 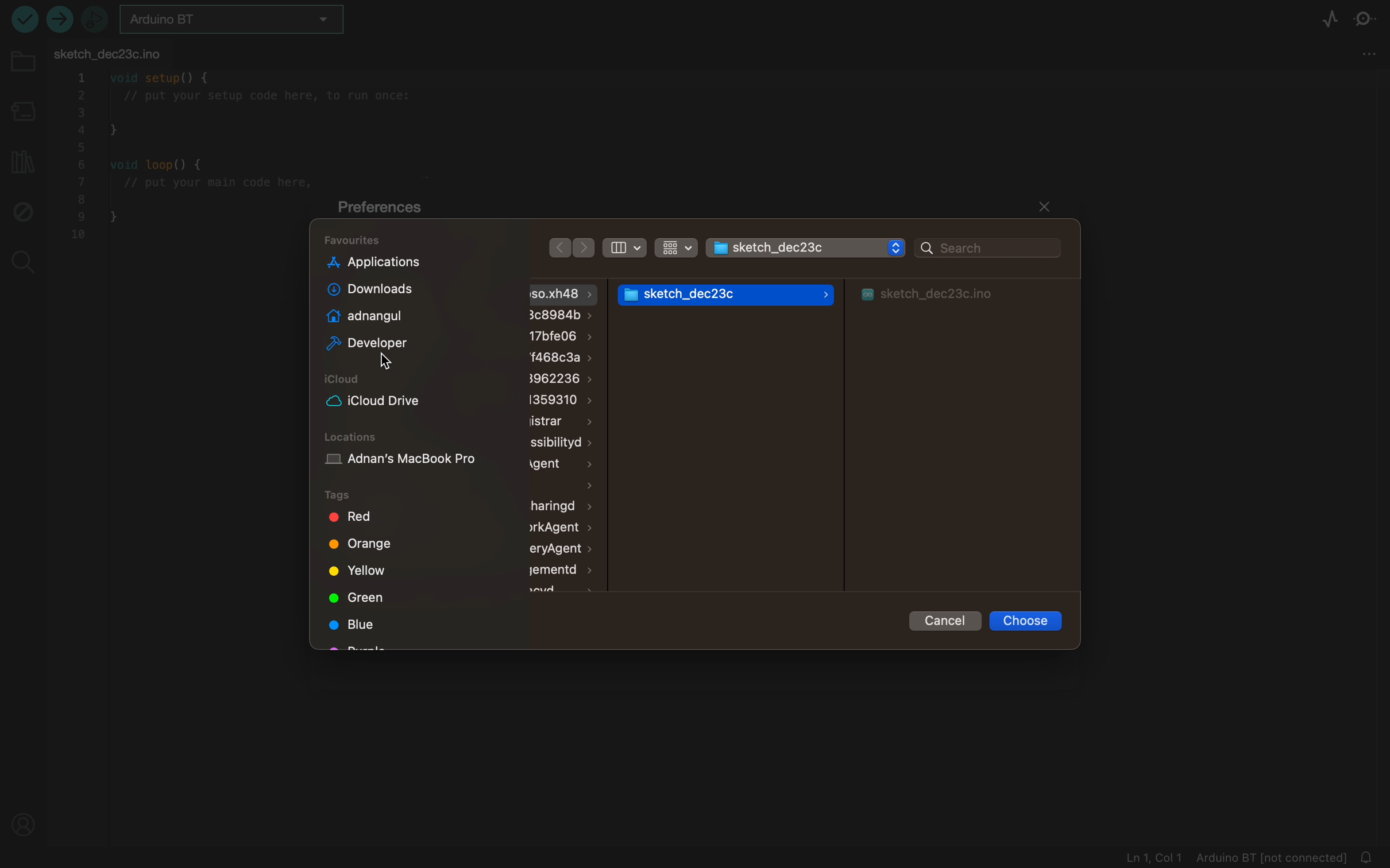 What do you see at coordinates (369, 545) in the screenshot?
I see `orange` at bounding box center [369, 545].